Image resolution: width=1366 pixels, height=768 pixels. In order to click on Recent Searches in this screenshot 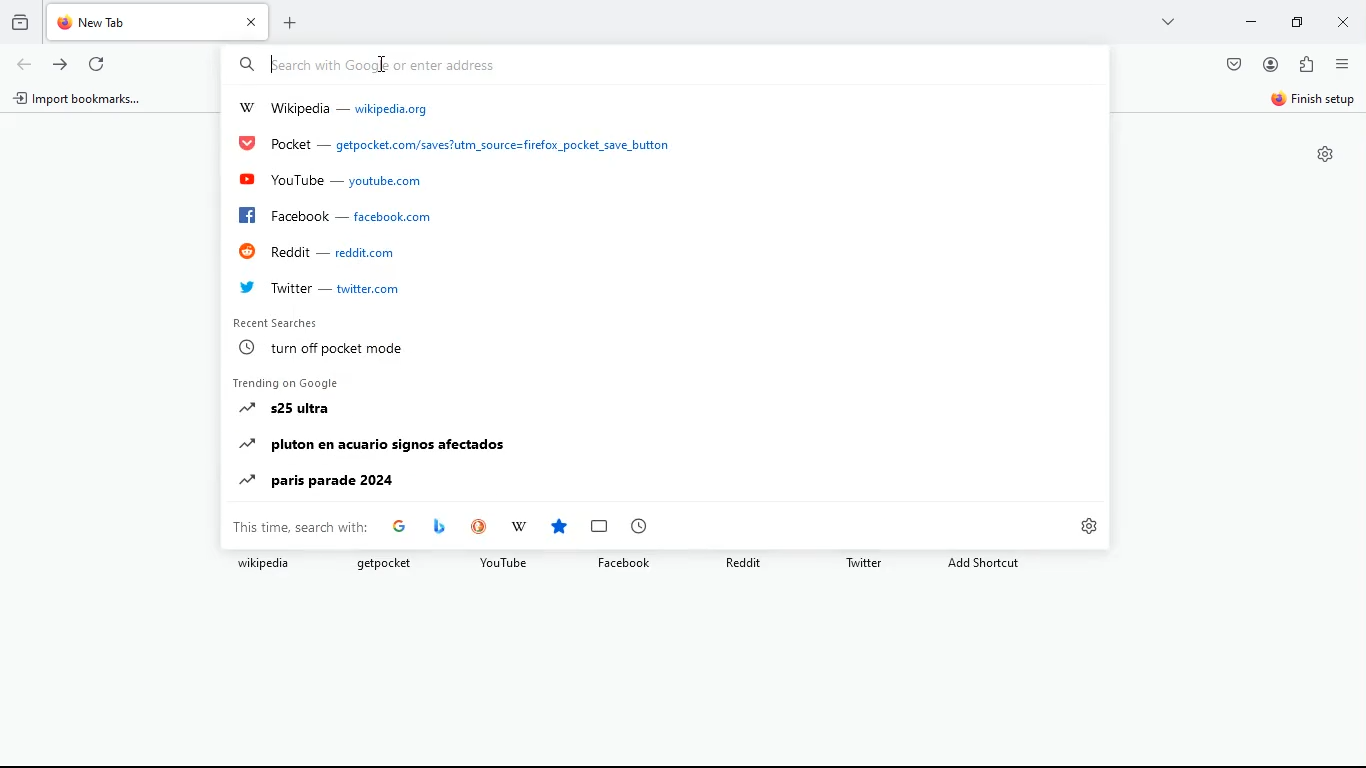, I will do `click(274, 323)`.